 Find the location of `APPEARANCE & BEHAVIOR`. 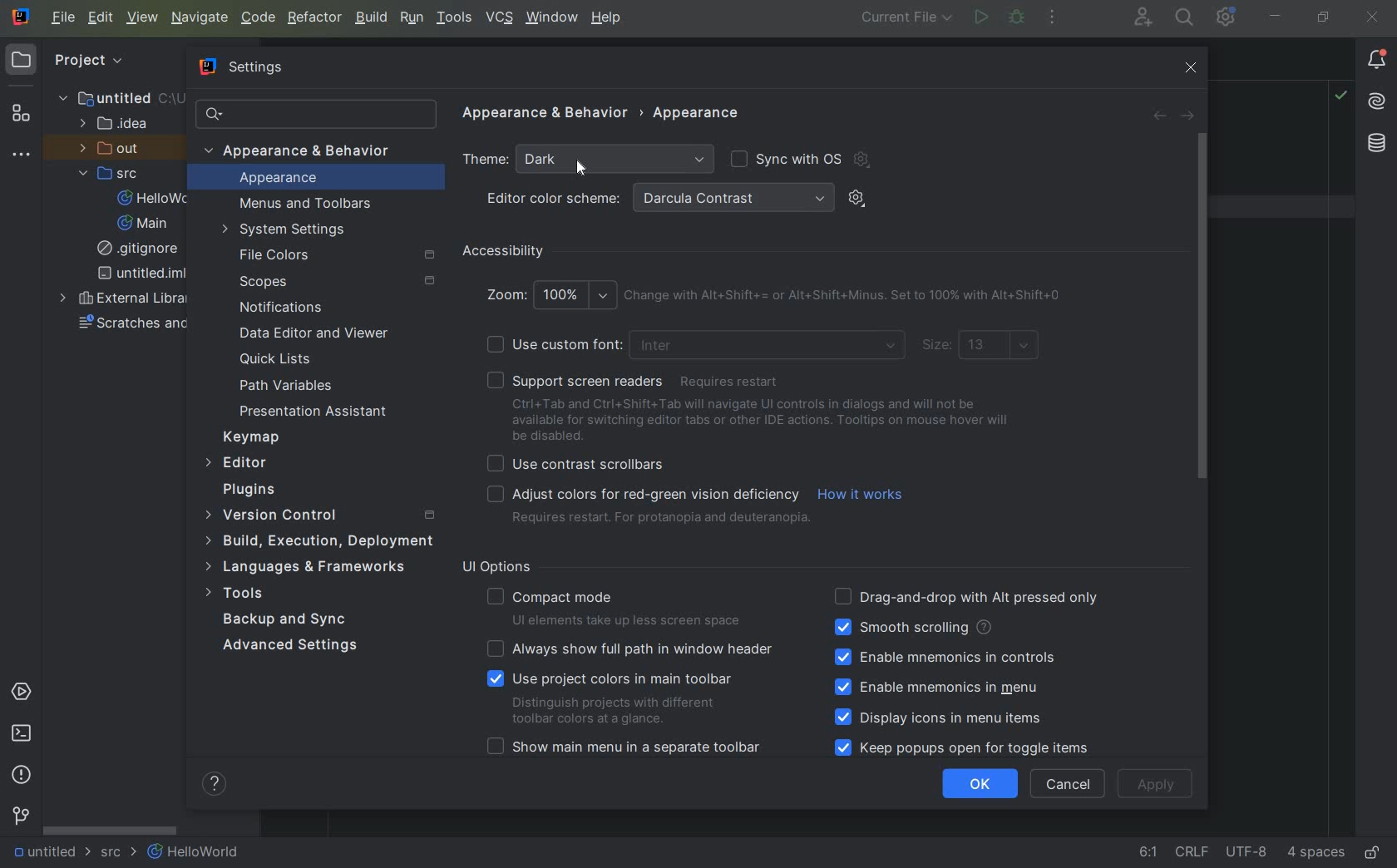

APPEARANCE & BEHAVIOR is located at coordinates (306, 150).